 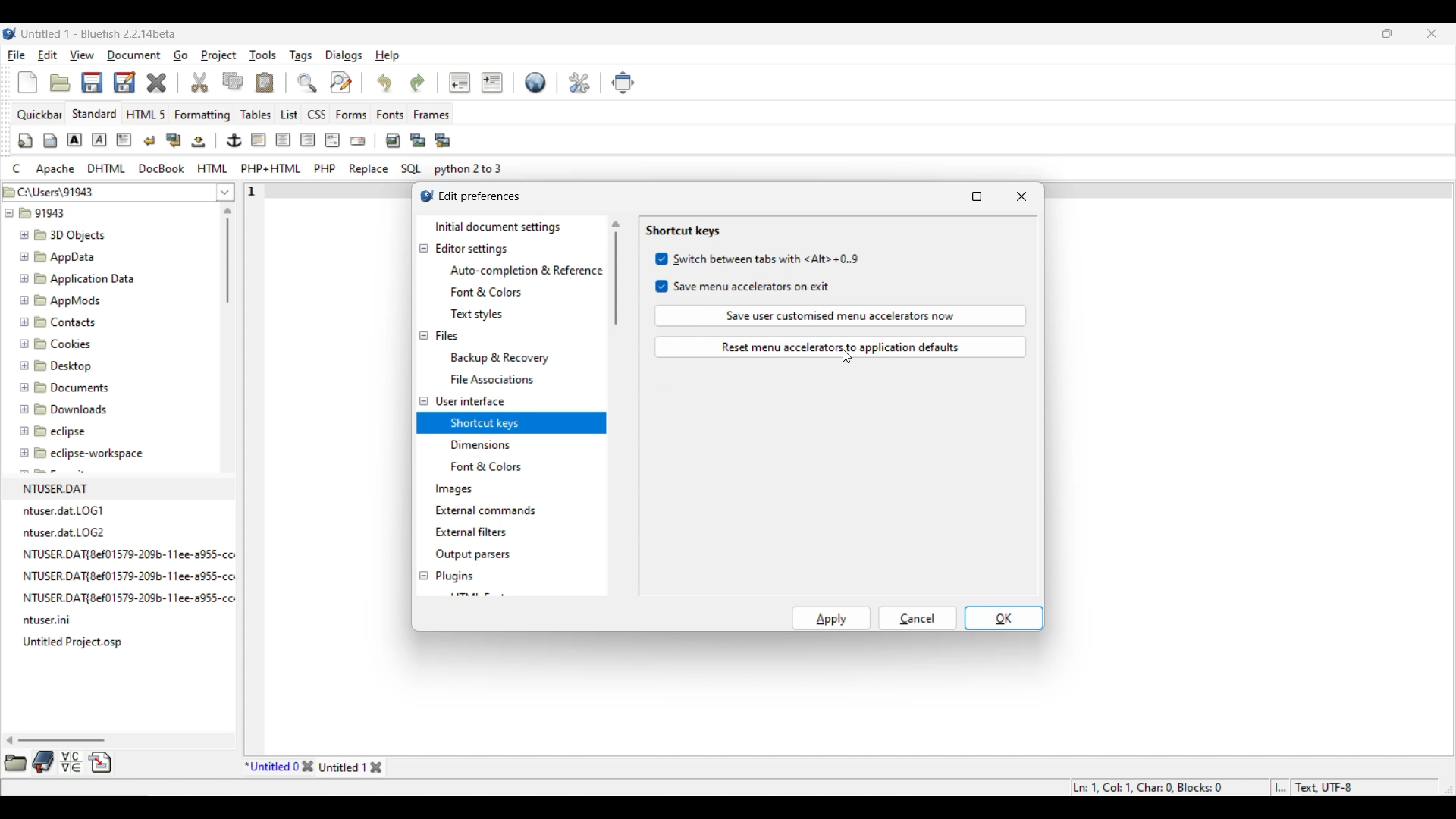 What do you see at coordinates (289, 115) in the screenshot?
I see `List` at bounding box center [289, 115].